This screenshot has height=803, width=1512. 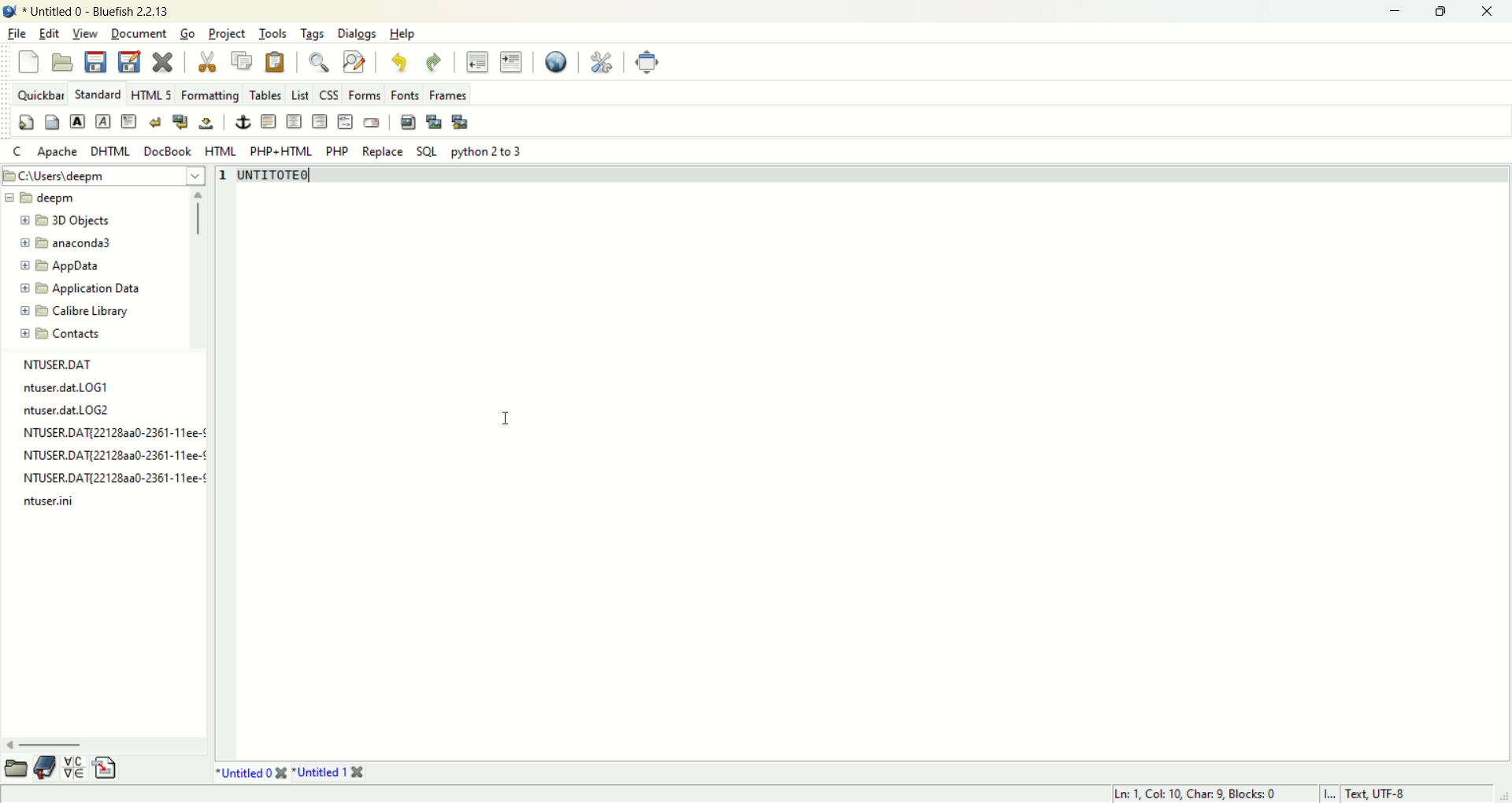 What do you see at coordinates (407, 122) in the screenshot?
I see `insert image` at bounding box center [407, 122].